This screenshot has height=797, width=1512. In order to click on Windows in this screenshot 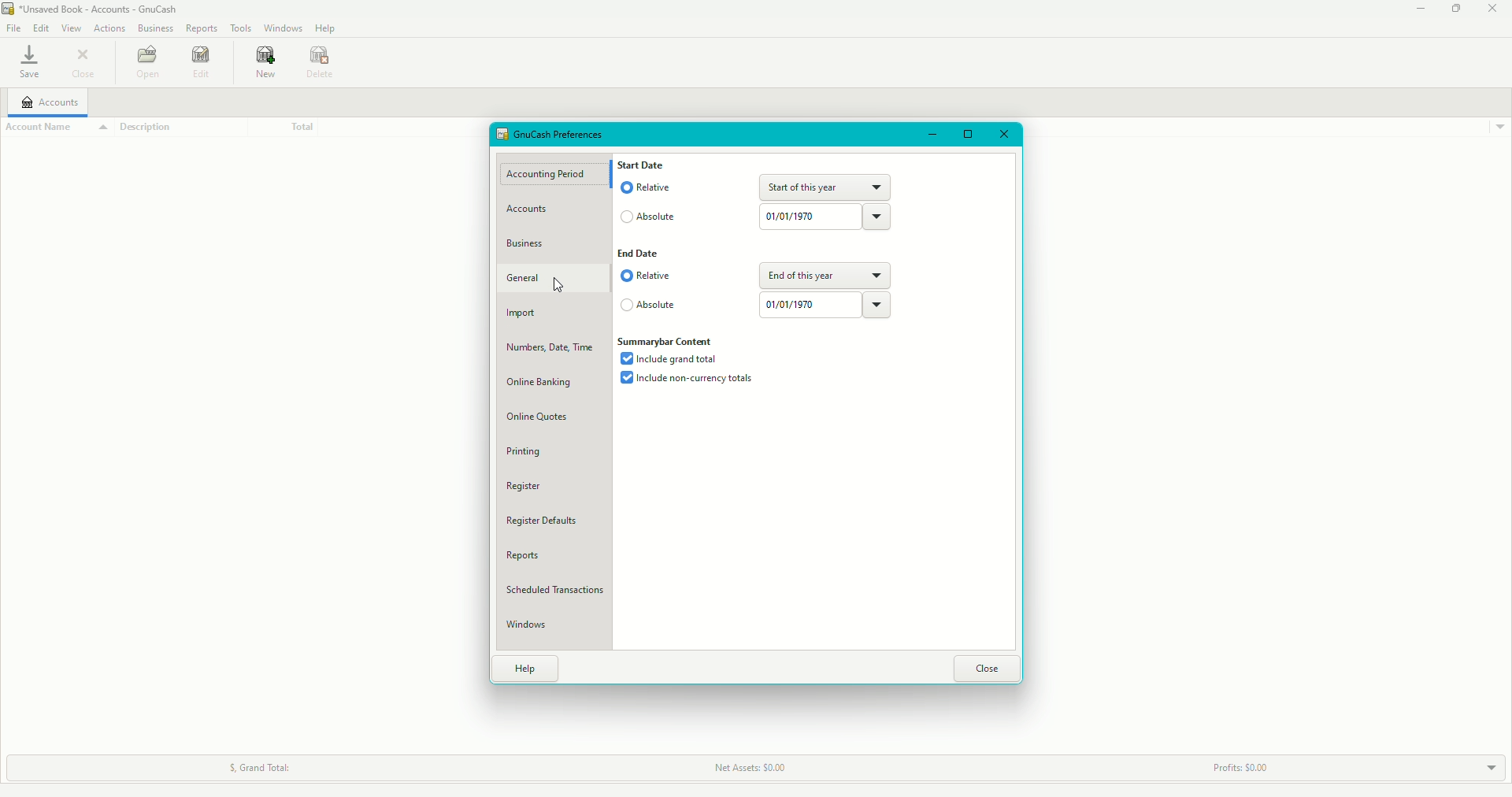, I will do `click(286, 28)`.